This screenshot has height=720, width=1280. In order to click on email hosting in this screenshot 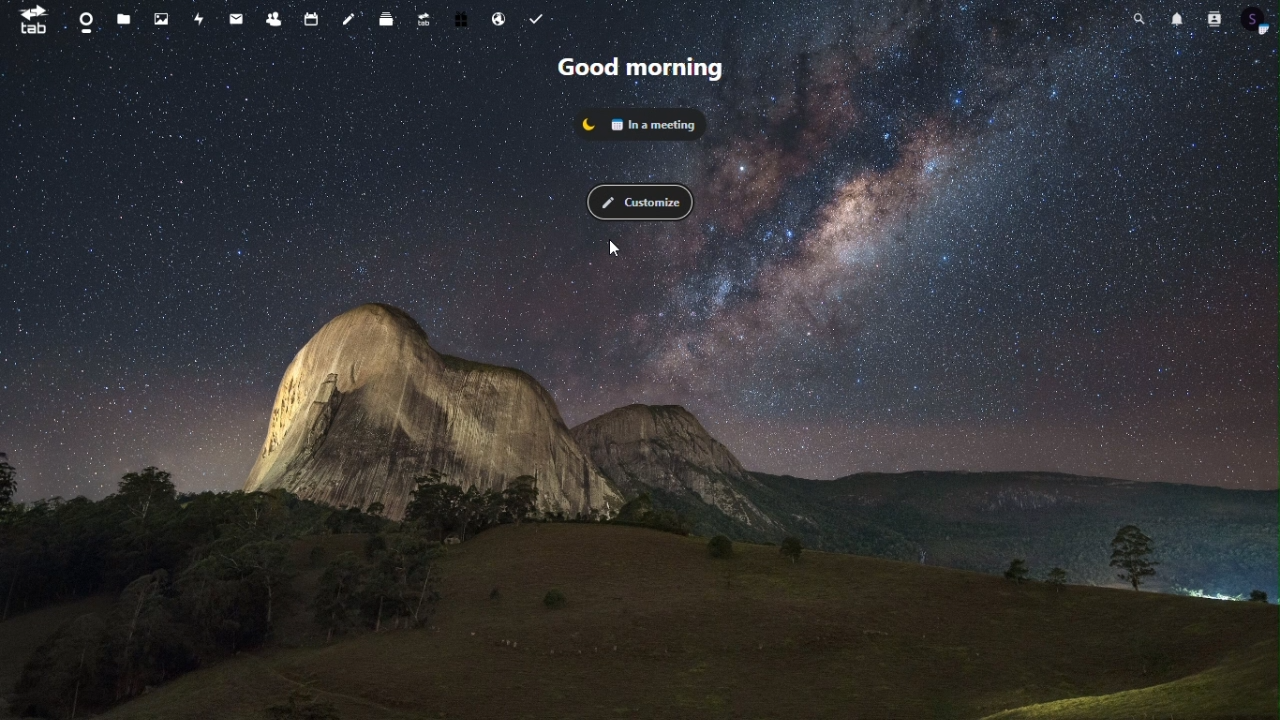, I will do `click(501, 22)`.